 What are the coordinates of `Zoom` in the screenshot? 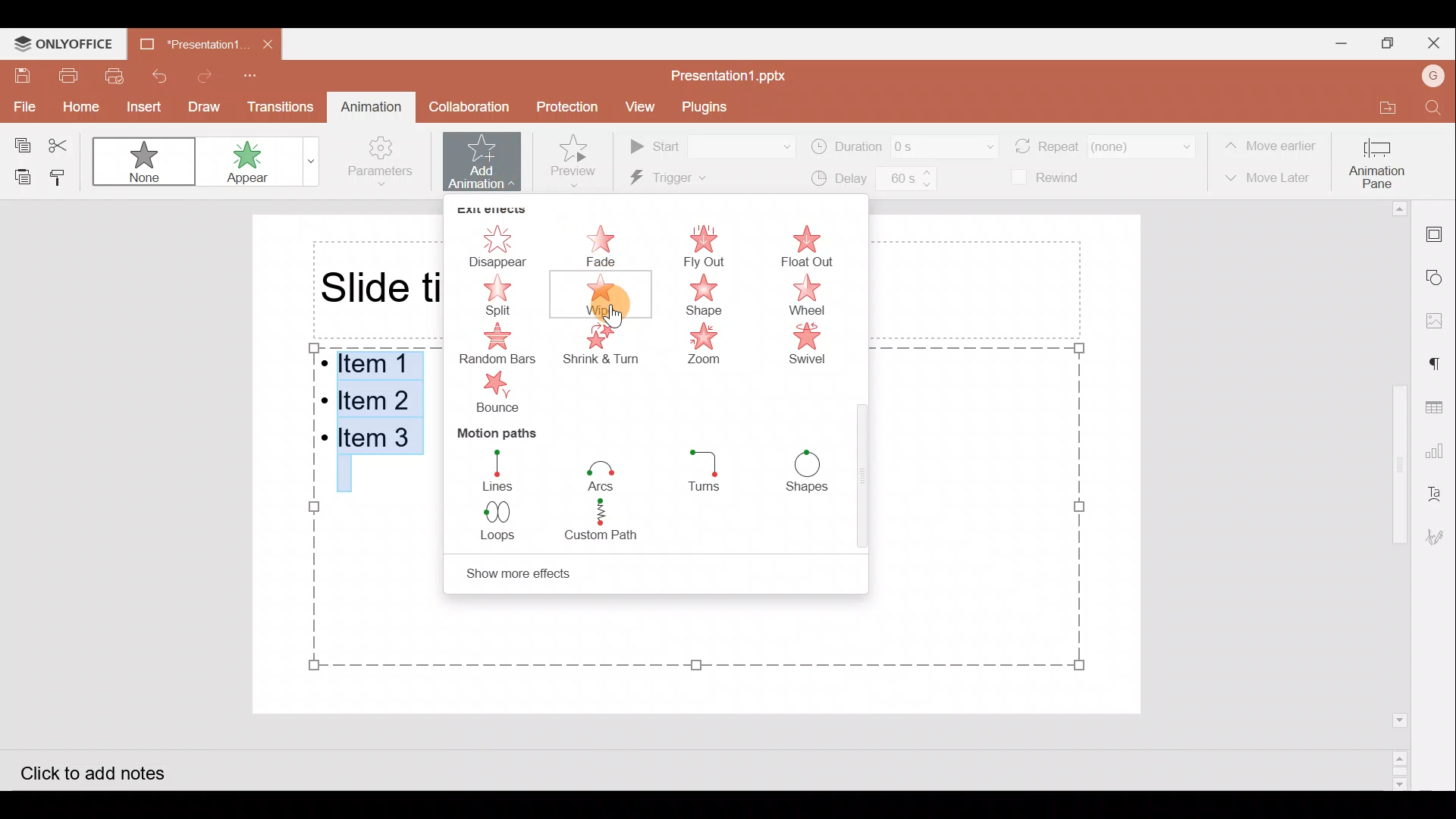 It's located at (706, 346).